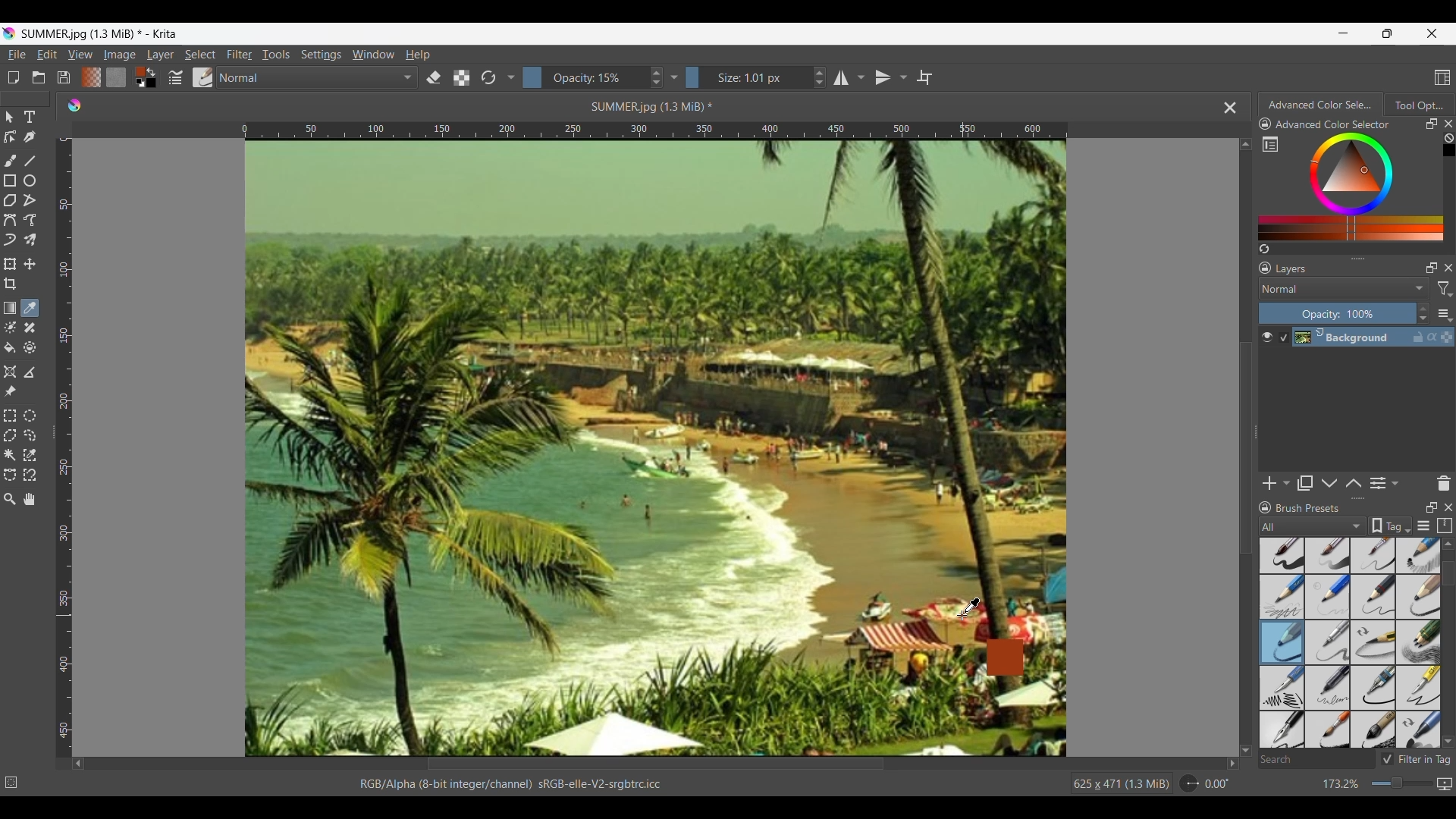  What do you see at coordinates (80, 55) in the screenshot?
I see `View menu` at bounding box center [80, 55].